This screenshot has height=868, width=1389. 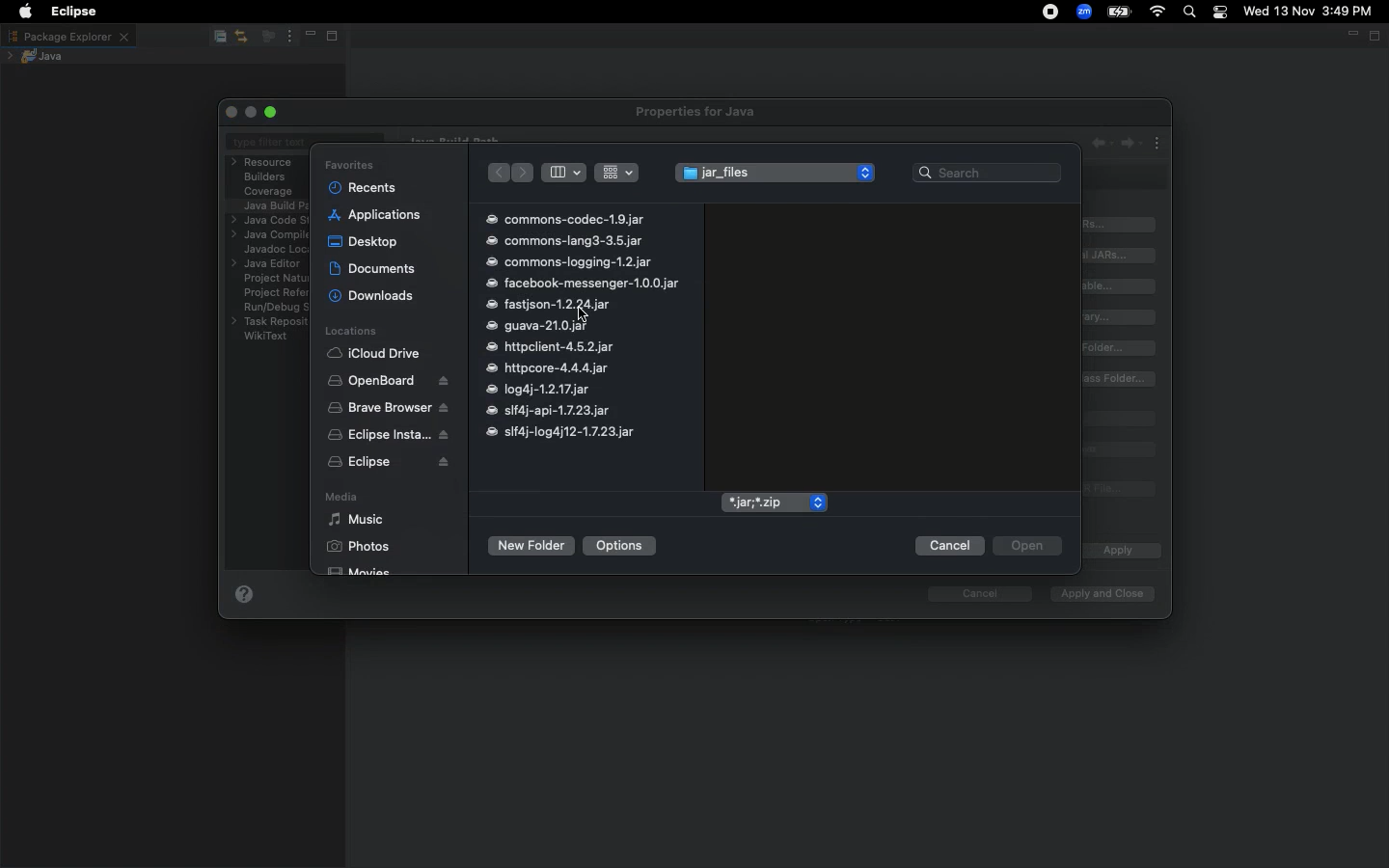 What do you see at coordinates (269, 192) in the screenshot?
I see `Coverage` at bounding box center [269, 192].